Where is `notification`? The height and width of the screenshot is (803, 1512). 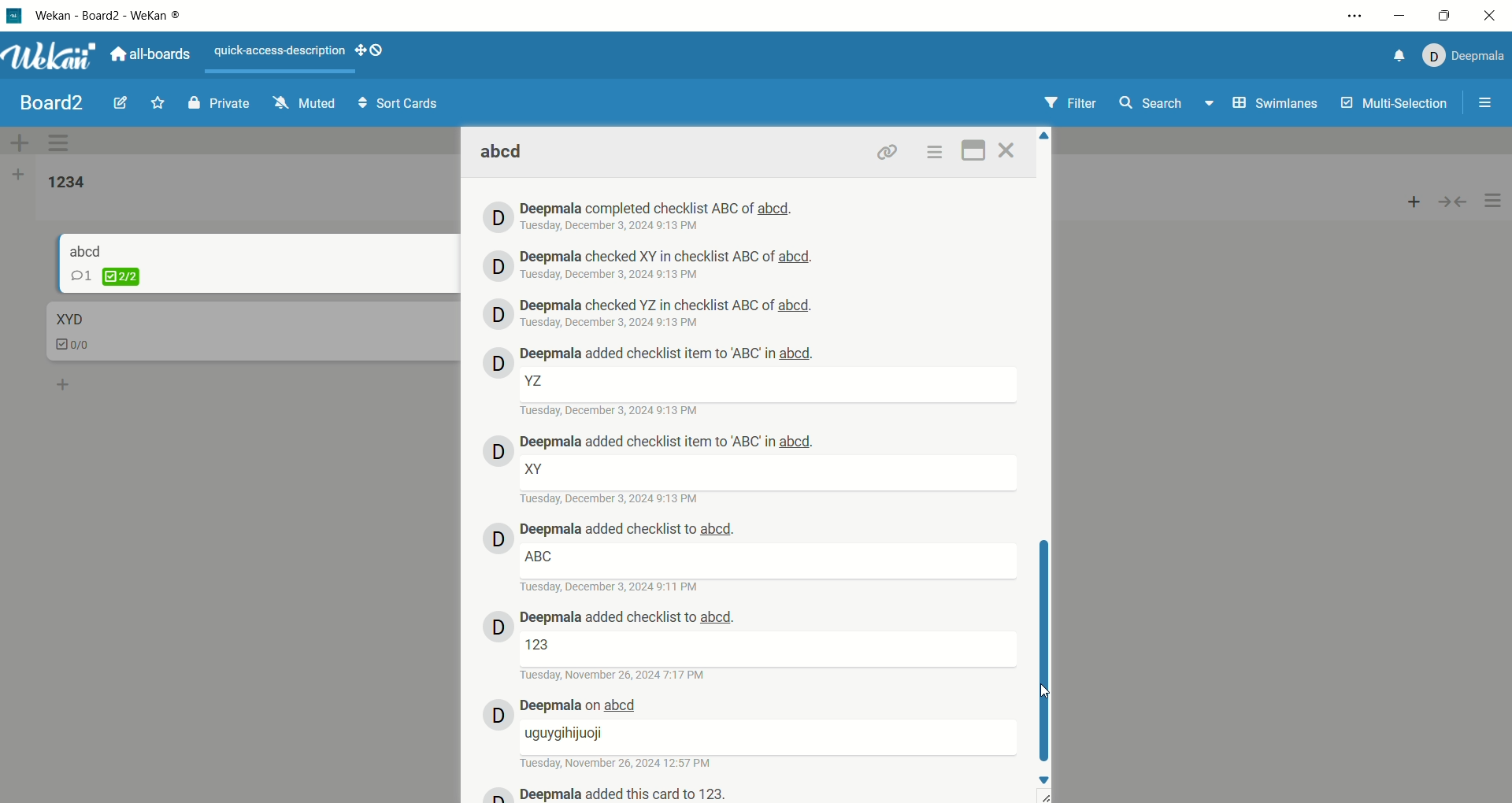 notification is located at coordinates (1395, 58).